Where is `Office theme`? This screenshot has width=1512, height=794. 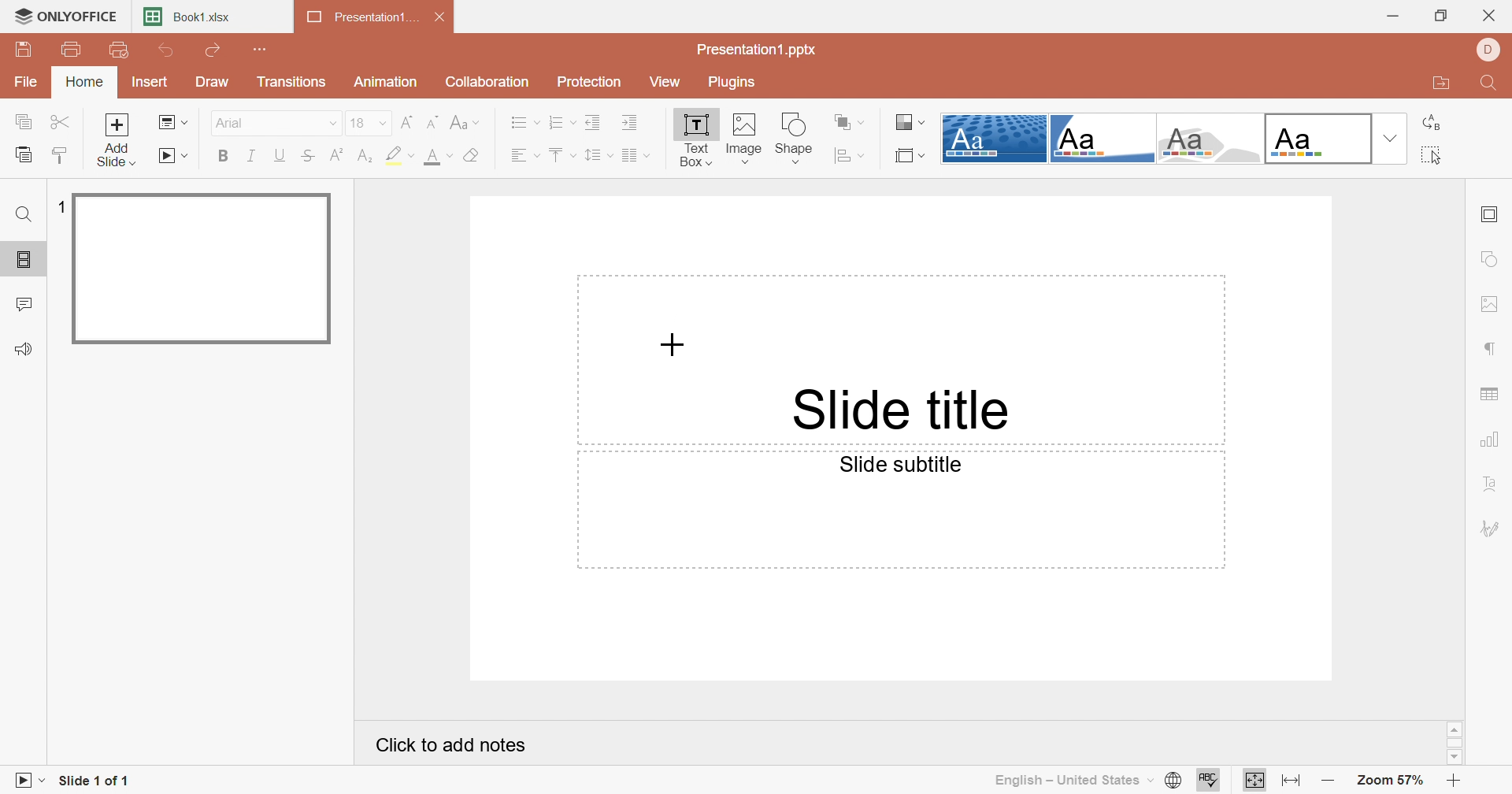 Office theme is located at coordinates (1314, 138).